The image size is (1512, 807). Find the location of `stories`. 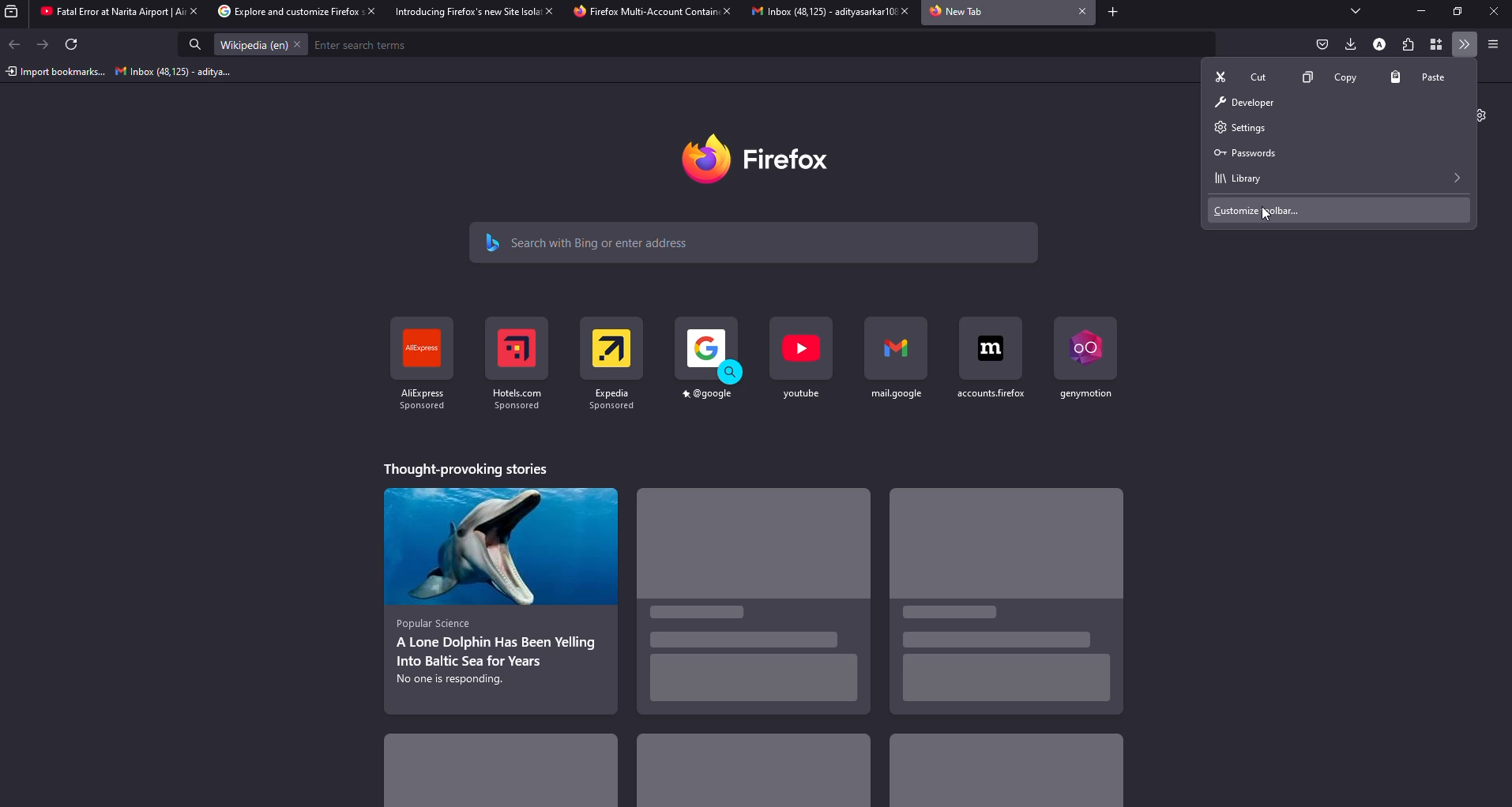

stories is located at coordinates (750, 607).